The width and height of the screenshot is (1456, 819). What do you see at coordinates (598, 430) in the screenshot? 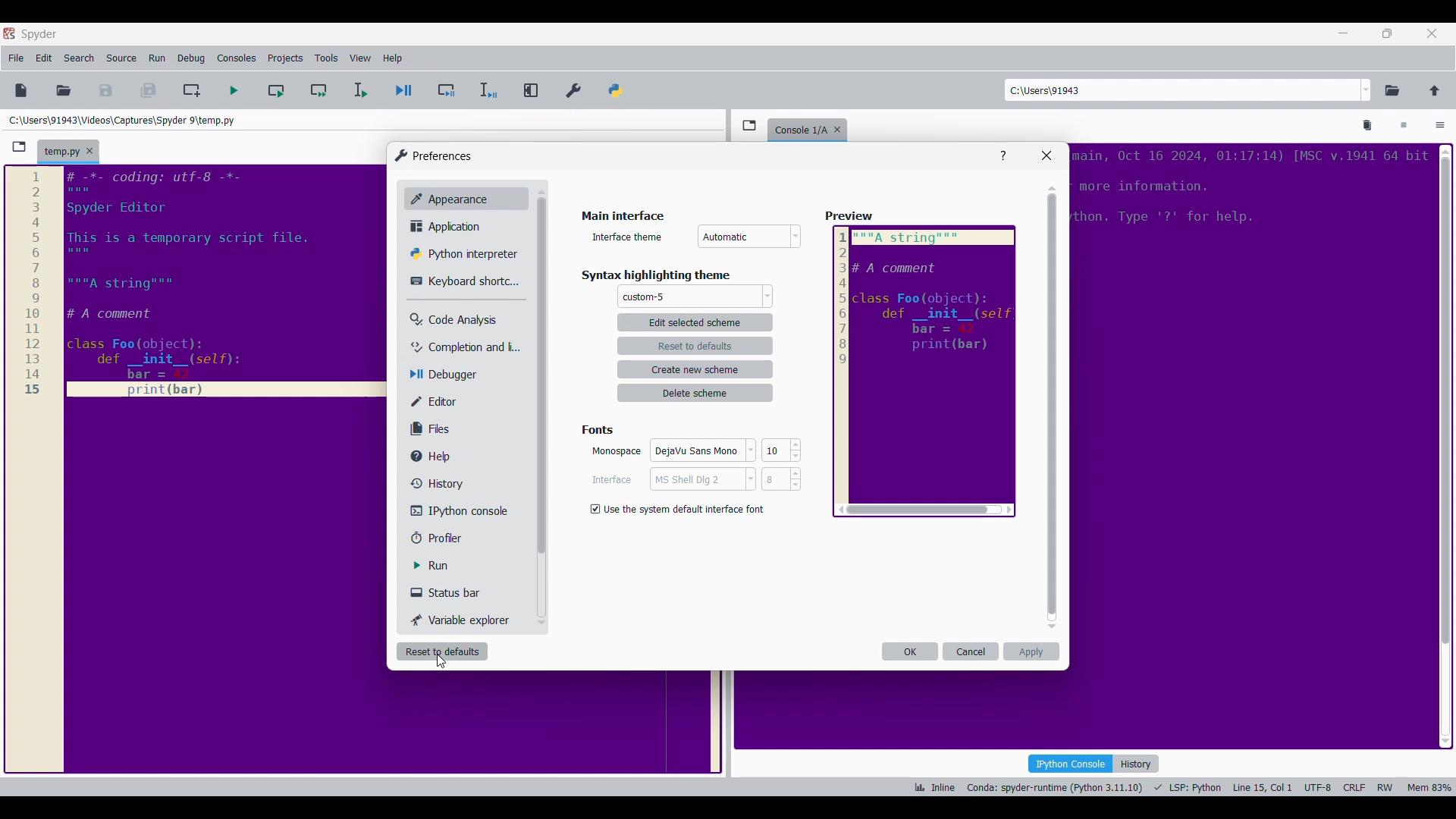
I see `Section title` at bounding box center [598, 430].